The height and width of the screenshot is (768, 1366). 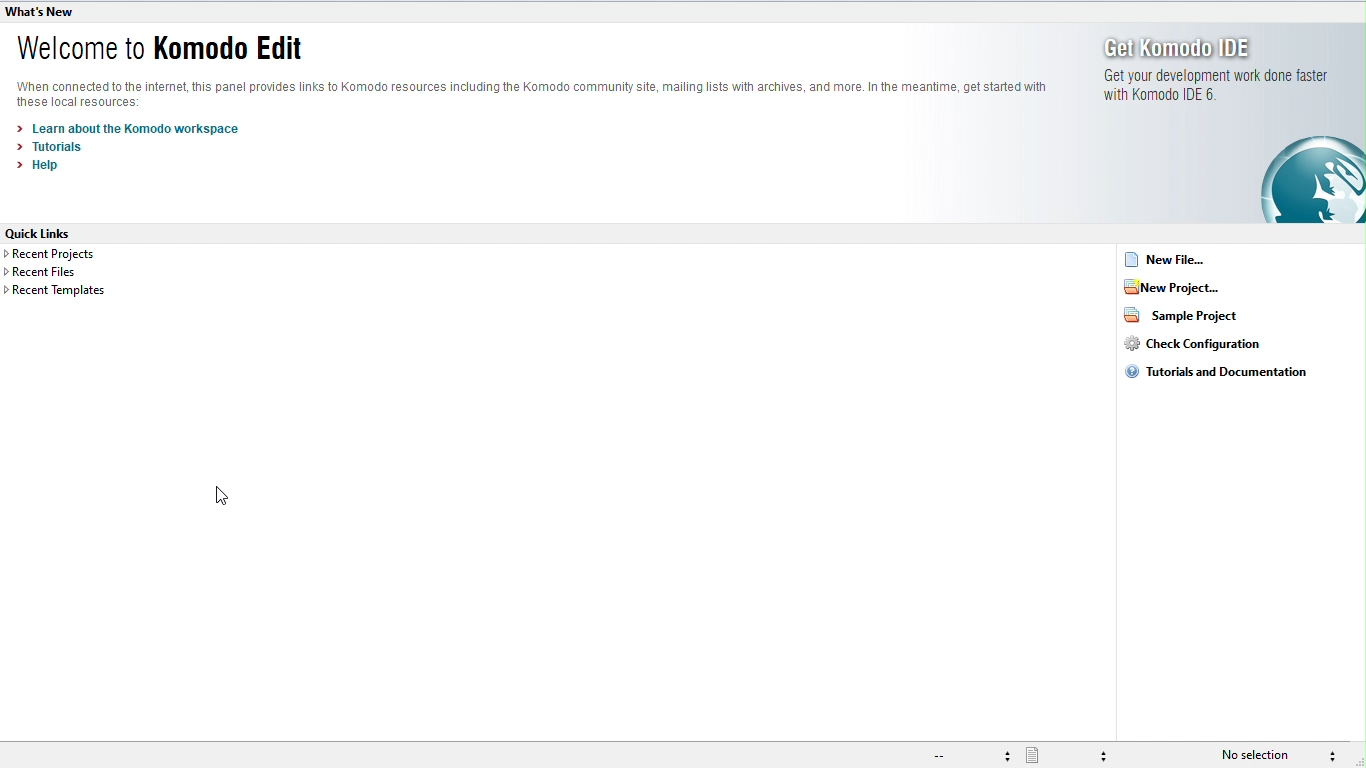 I want to click on get your development work done faster with komodo ide 6, so click(x=1235, y=91).